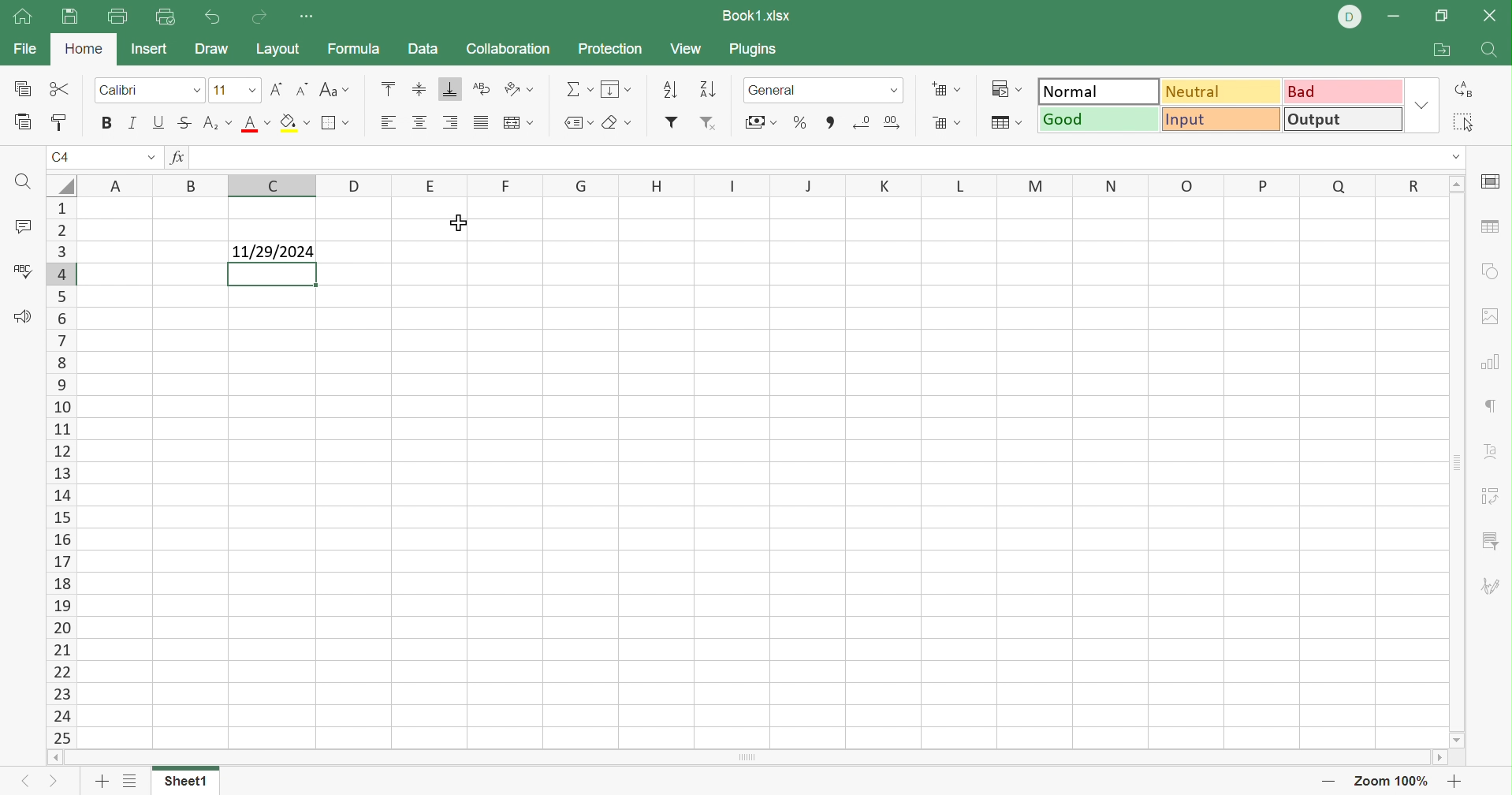 The width and height of the screenshot is (1512, 795). I want to click on Formula, so click(357, 48).